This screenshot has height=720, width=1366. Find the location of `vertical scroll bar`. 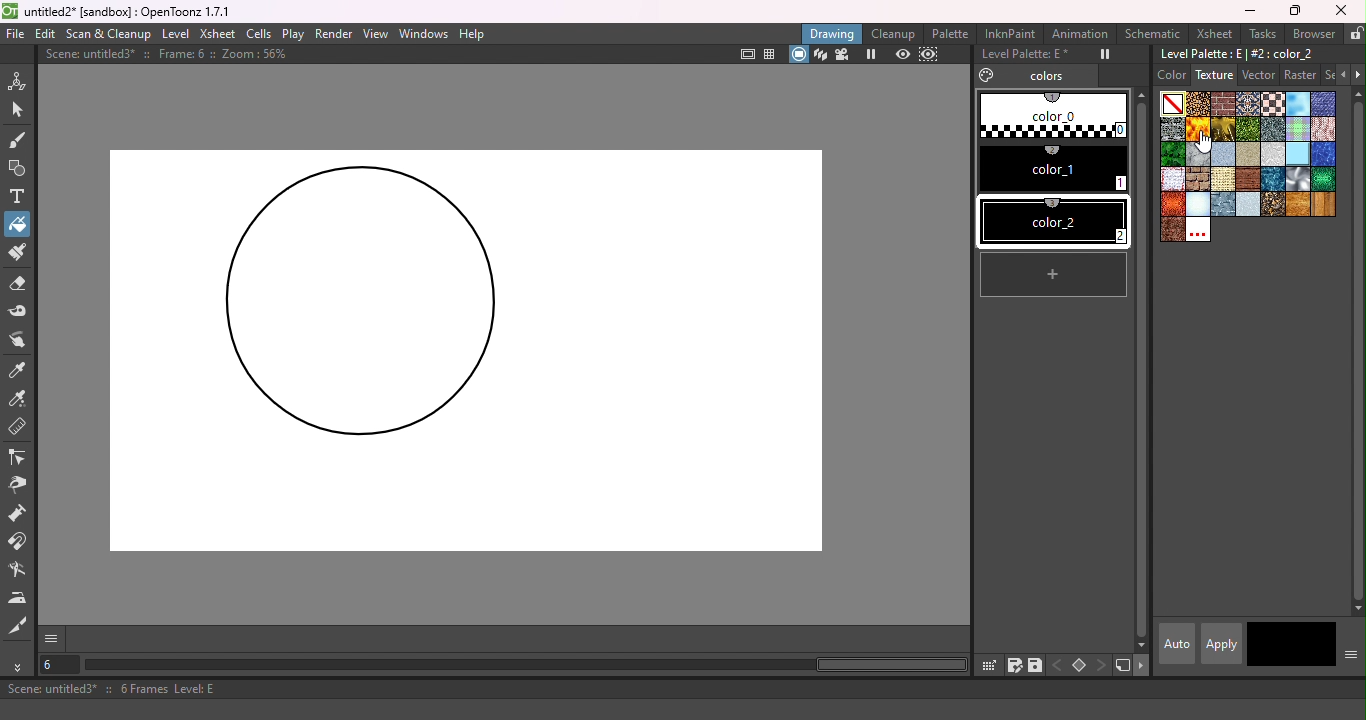

vertical scroll bar is located at coordinates (1139, 369).